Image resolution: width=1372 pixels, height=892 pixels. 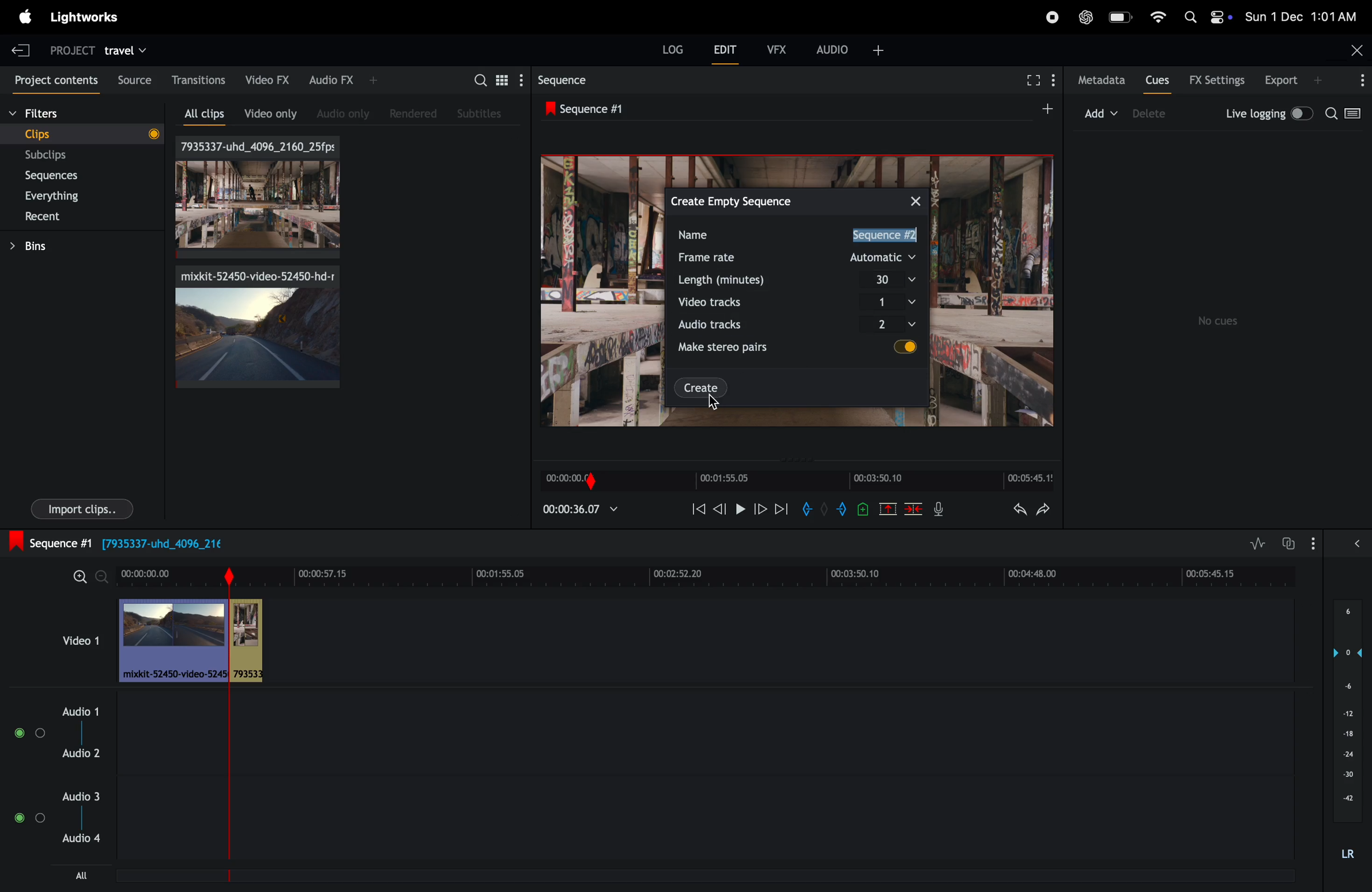 What do you see at coordinates (759, 508) in the screenshot?
I see `forward` at bounding box center [759, 508].